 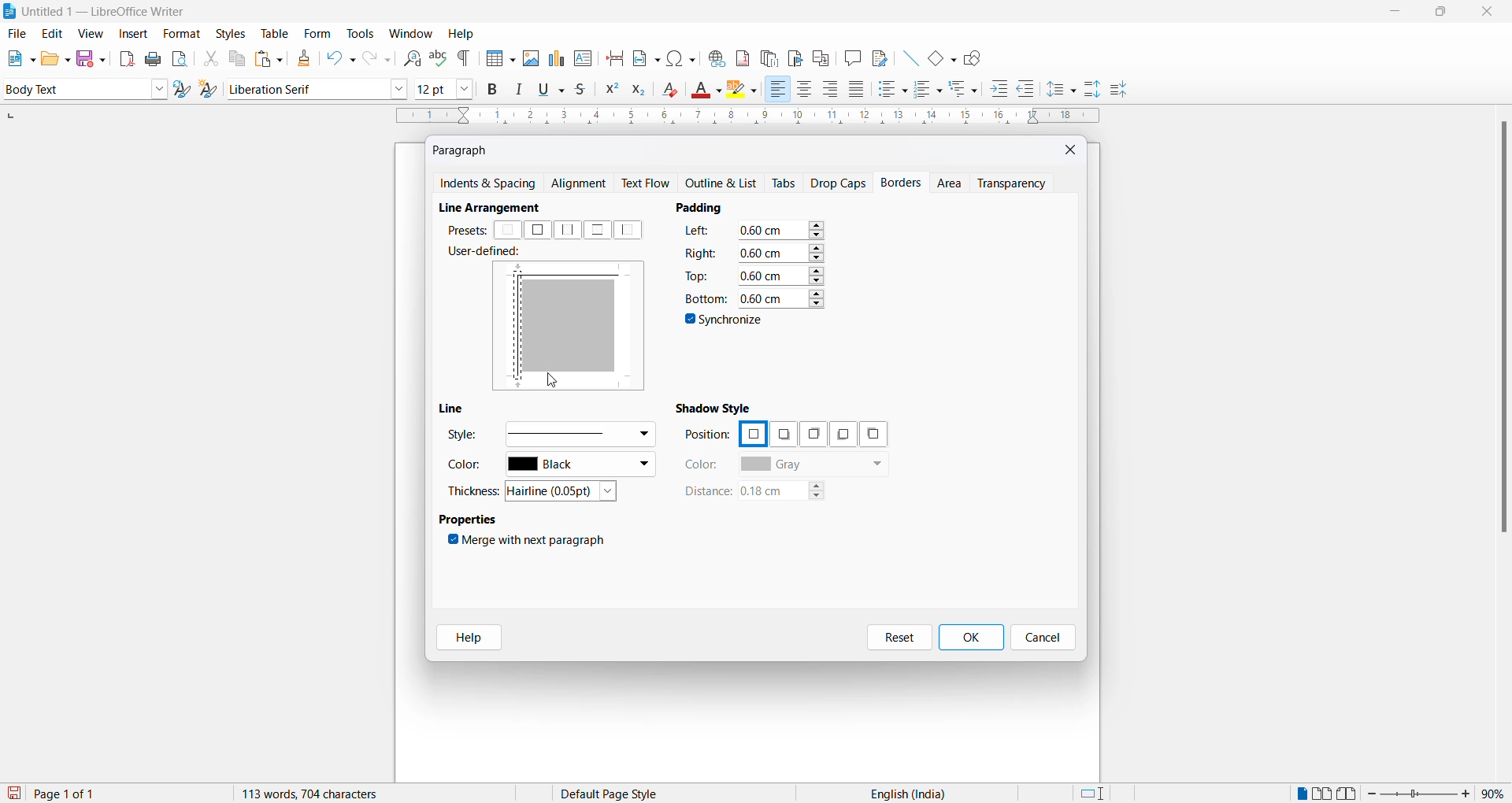 What do you see at coordinates (530, 58) in the screenshot?
I see `insert image` at bounding box center [530, 58].